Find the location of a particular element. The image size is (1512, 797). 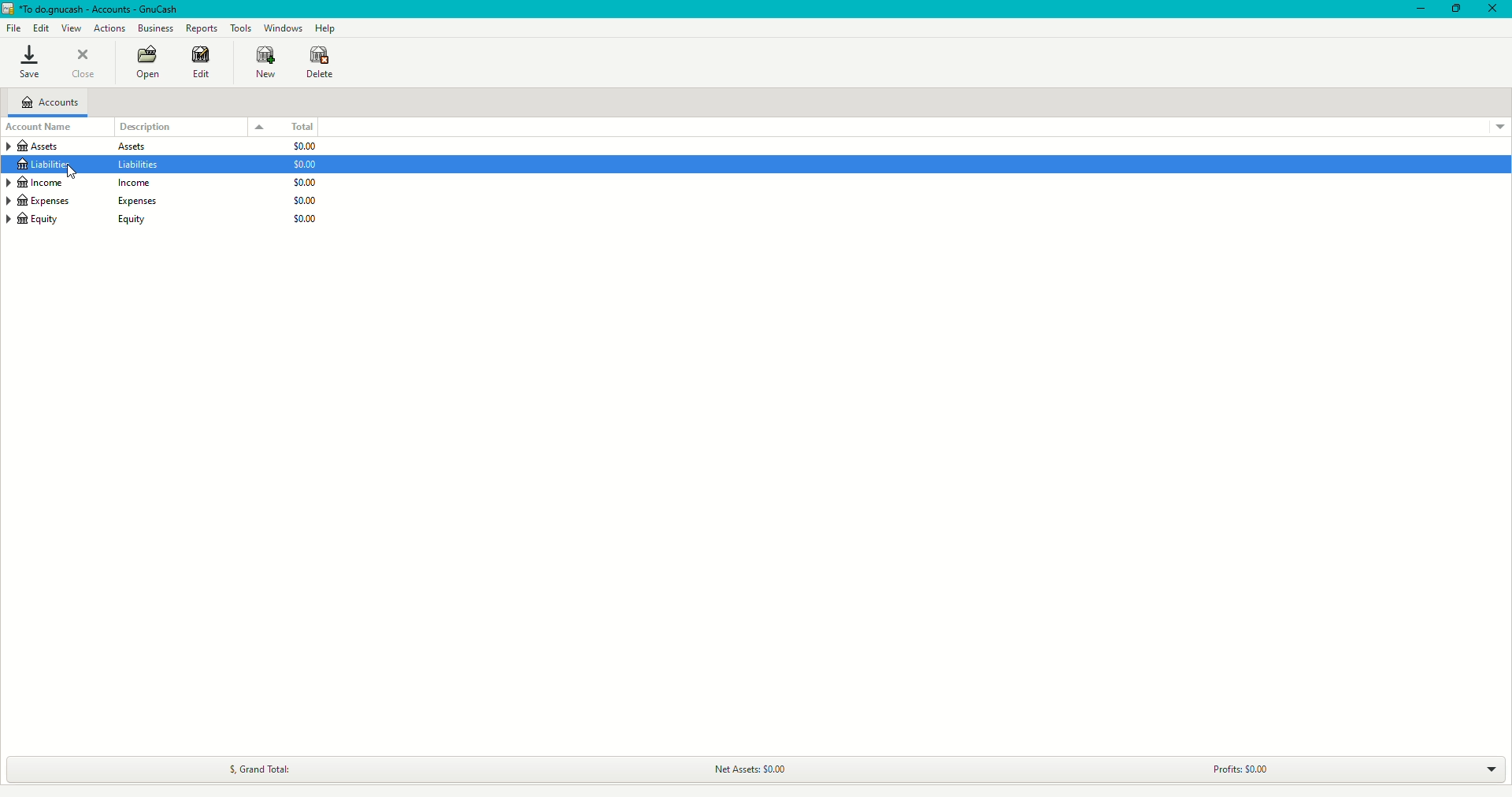

Description is located at coordinates (150, 126).